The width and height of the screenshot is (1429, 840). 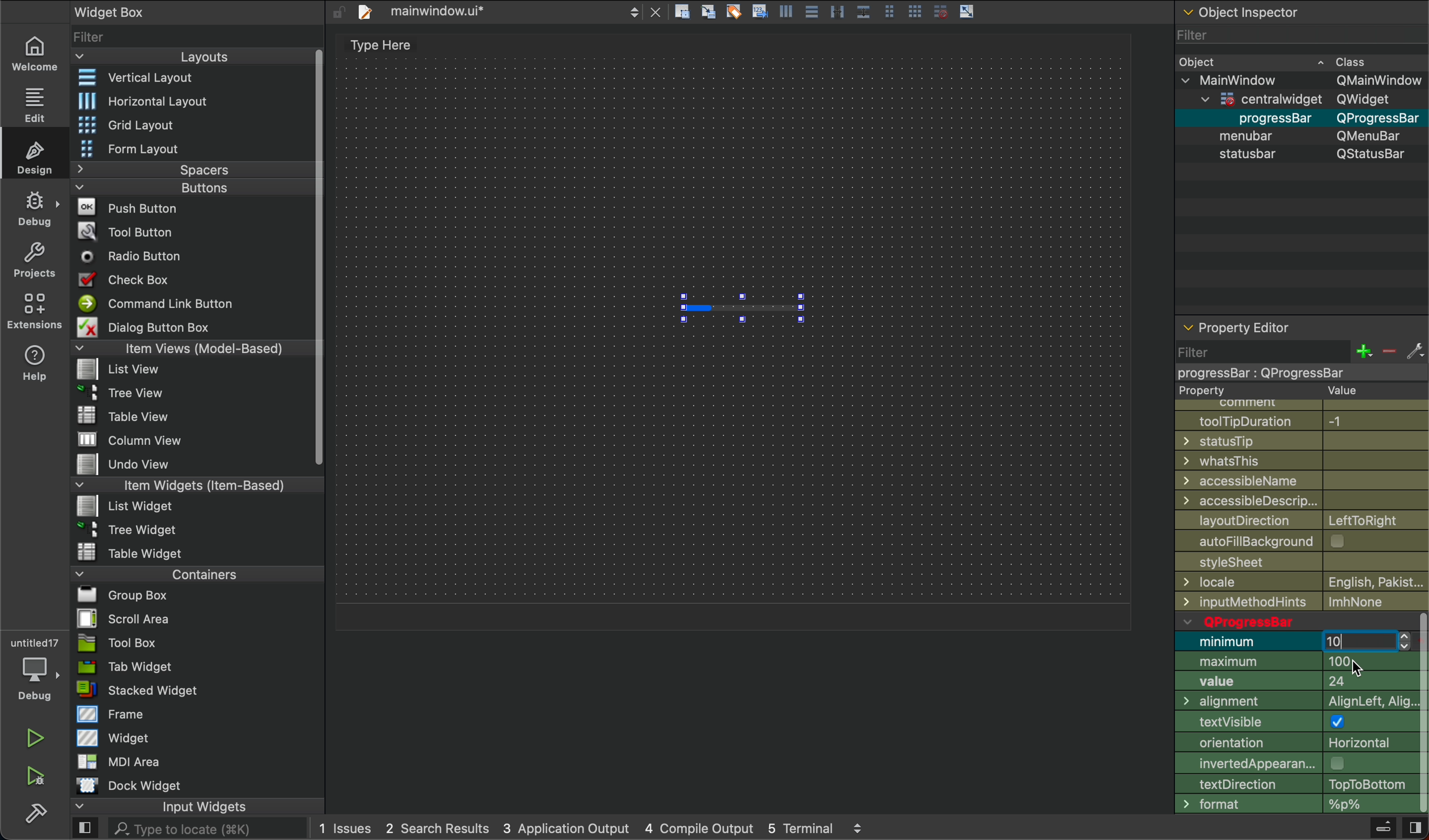 What do you see at coordinates (136, 256) in the screenshot?
I see `Radio Button` at bounding box center [136, 256].